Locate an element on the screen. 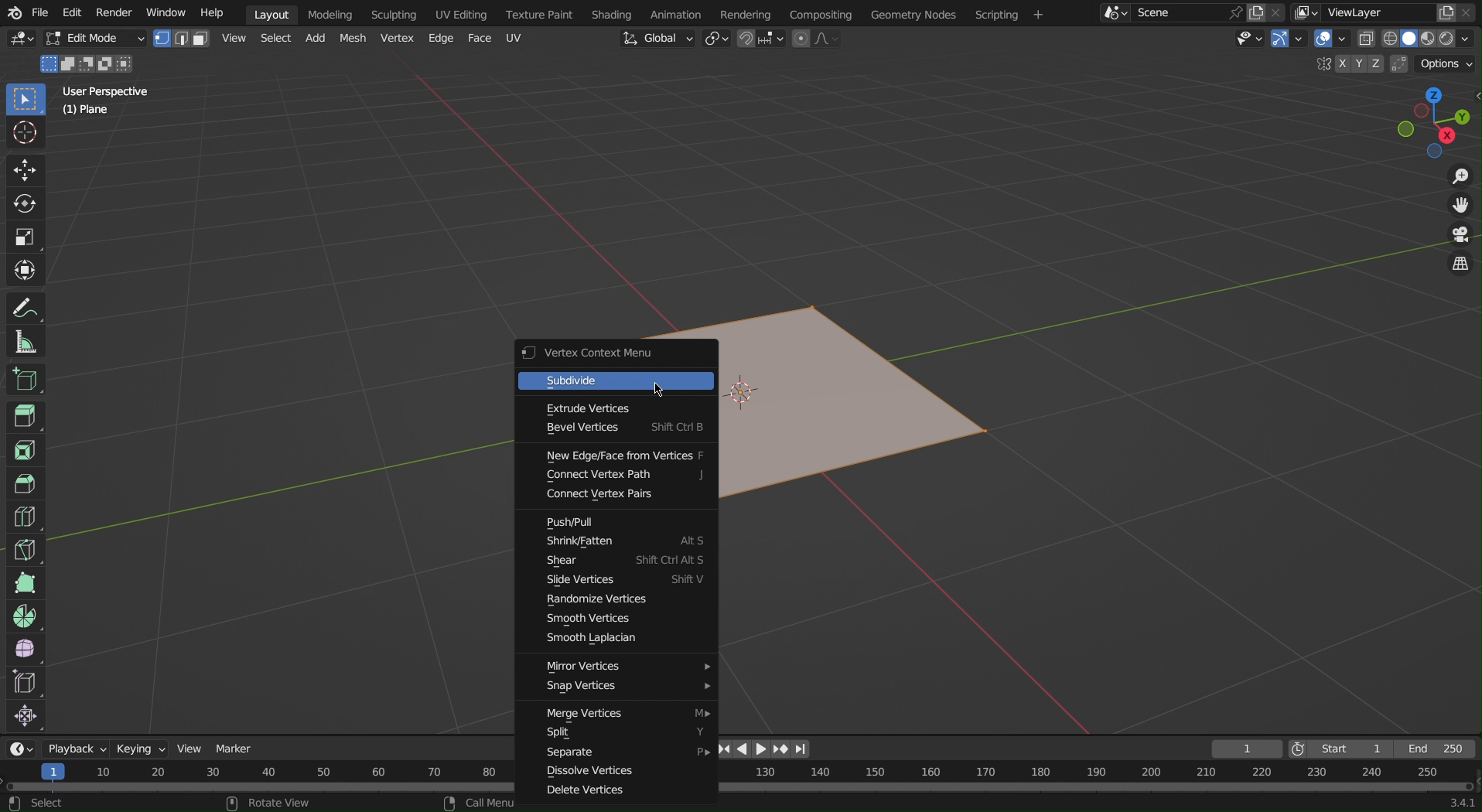 The image size is (1482, 812). Cal Menu is located at coordinates (477, 803).